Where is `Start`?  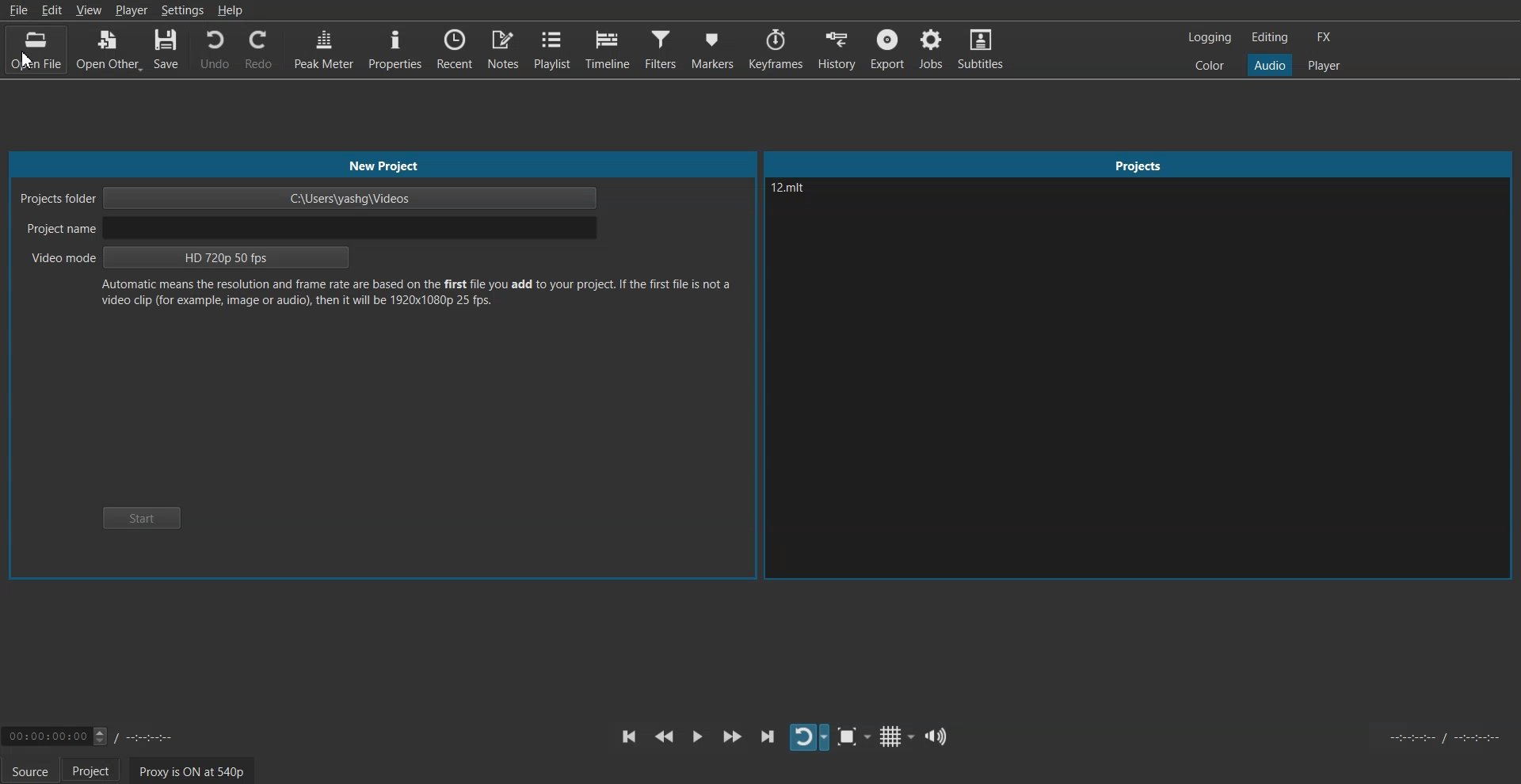 Start is located at coordinates (139, 517).